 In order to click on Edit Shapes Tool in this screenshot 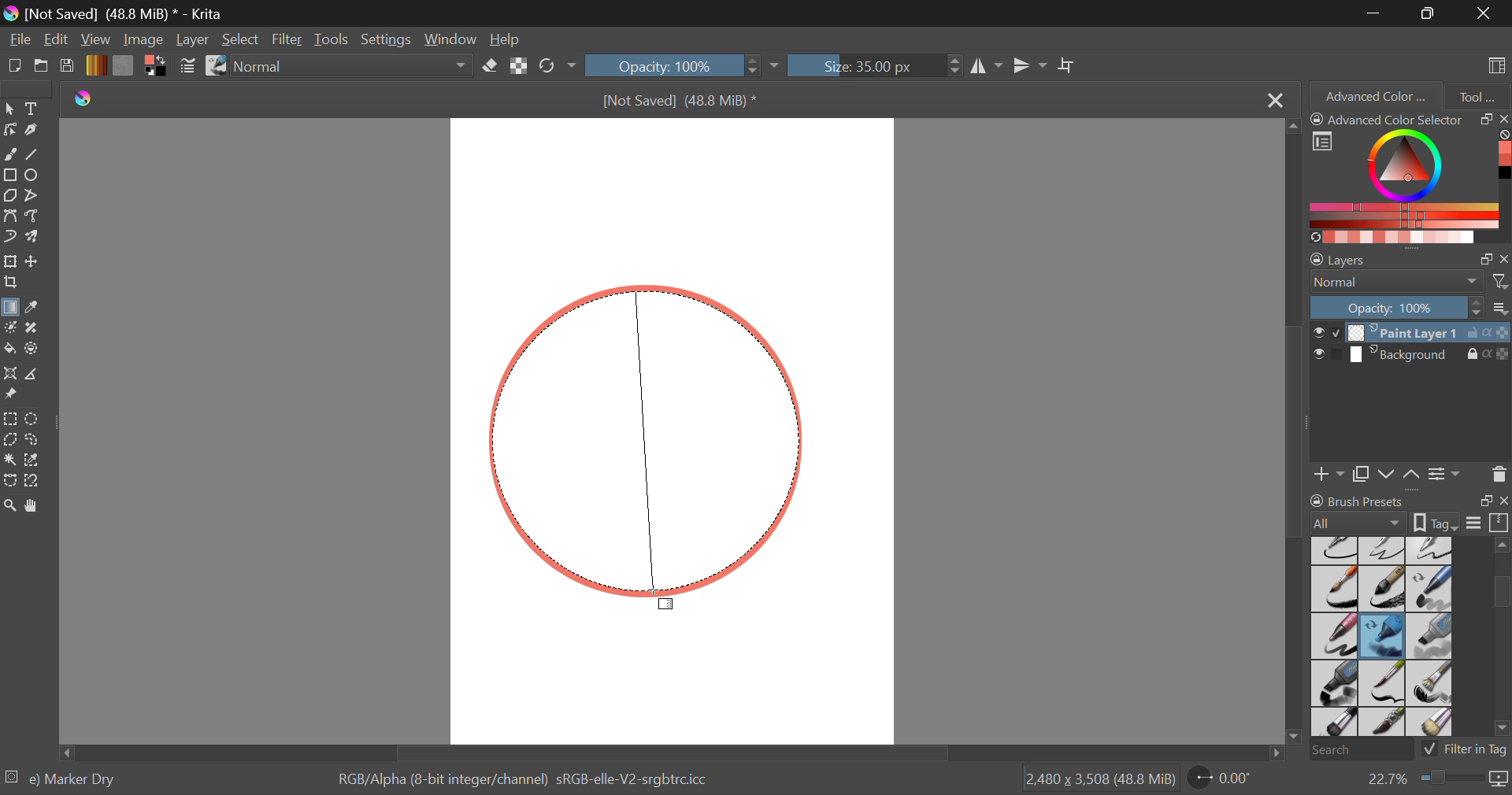, I will do `click(9, 130)`.